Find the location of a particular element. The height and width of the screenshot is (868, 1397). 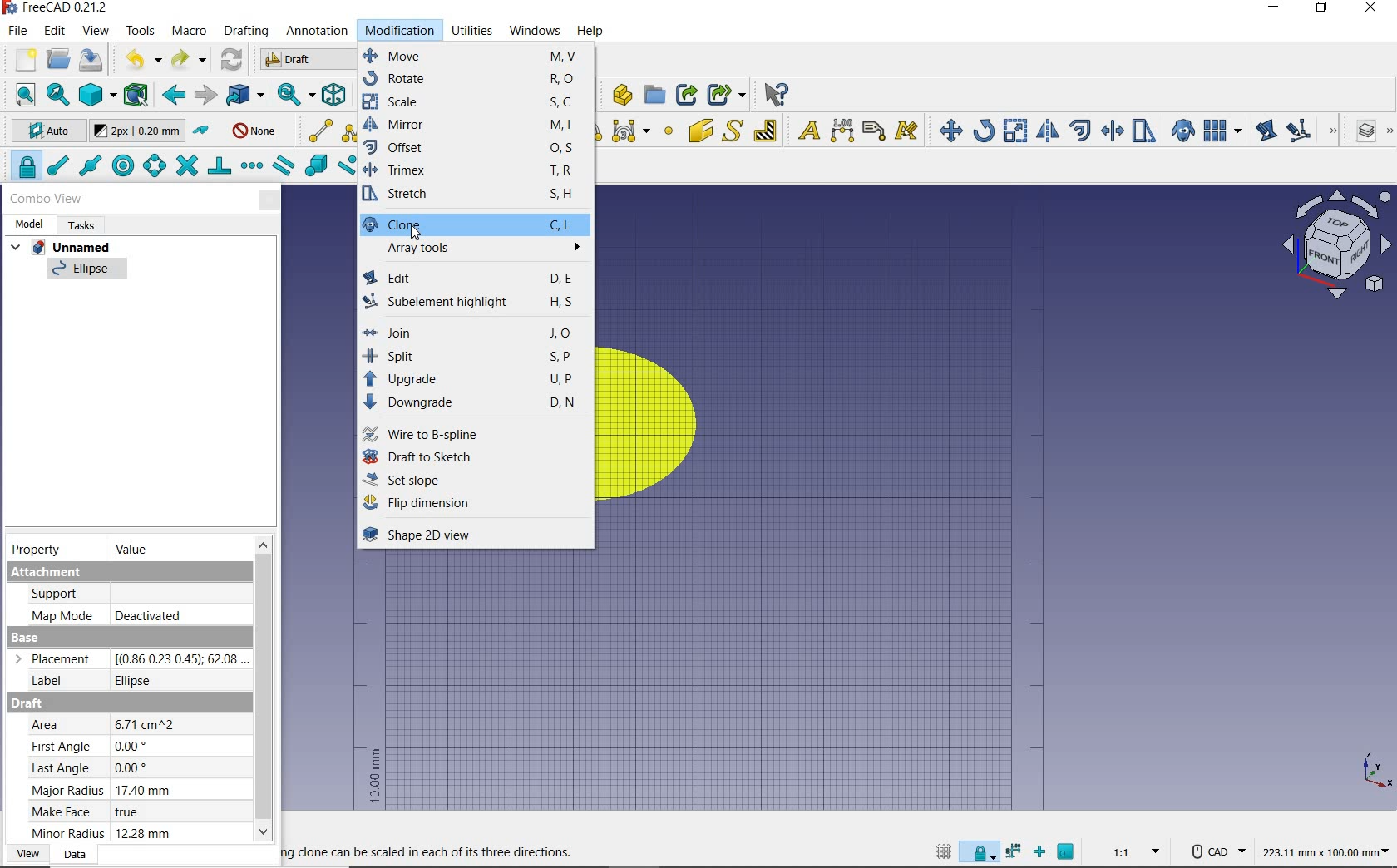

xyz points is located at coordinates (1376, 771).